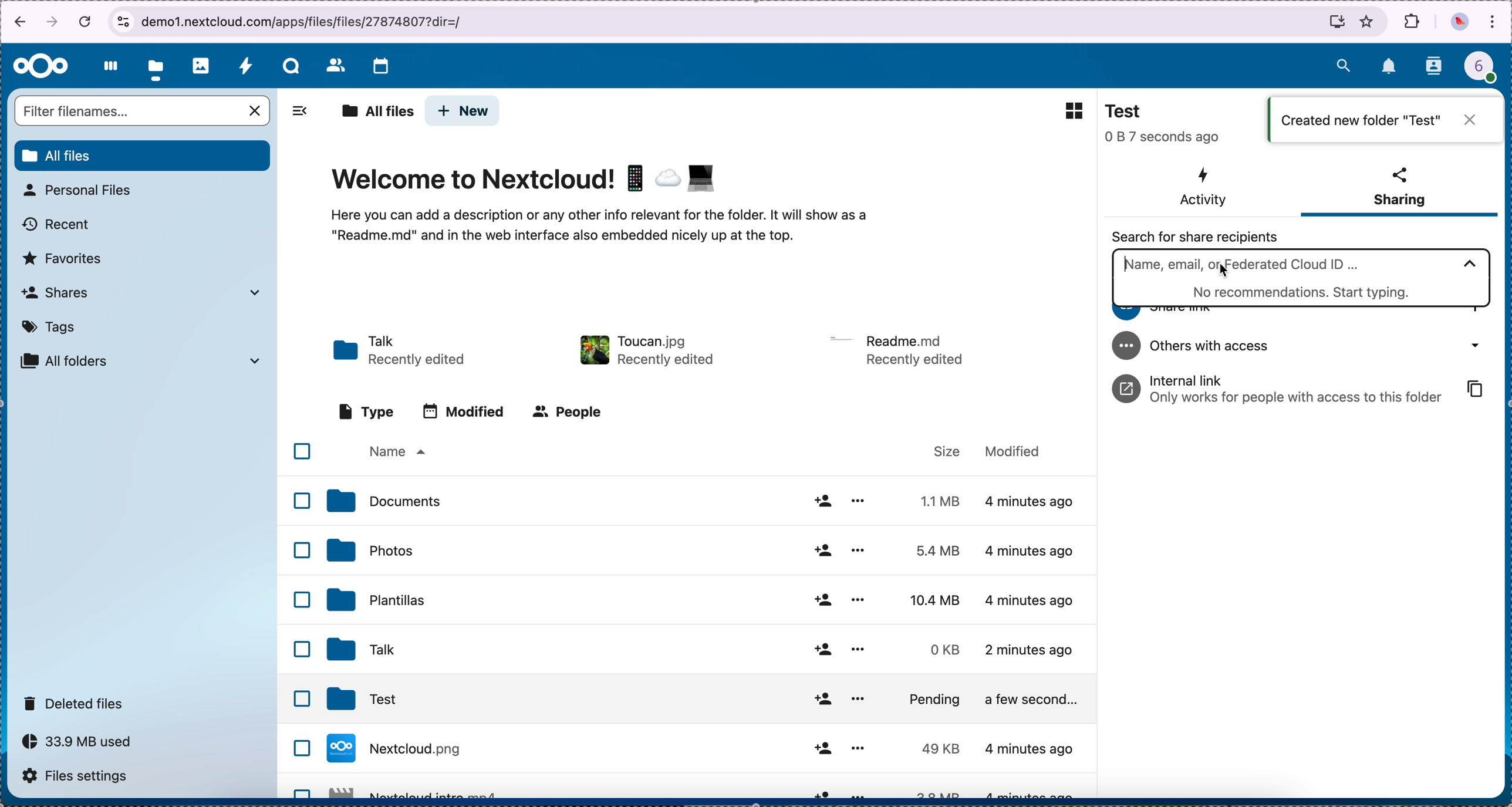 Image resolution: width=1512 pixels, height=807 pixels. I want to click on install Nextcloud, so click(1337, 24).